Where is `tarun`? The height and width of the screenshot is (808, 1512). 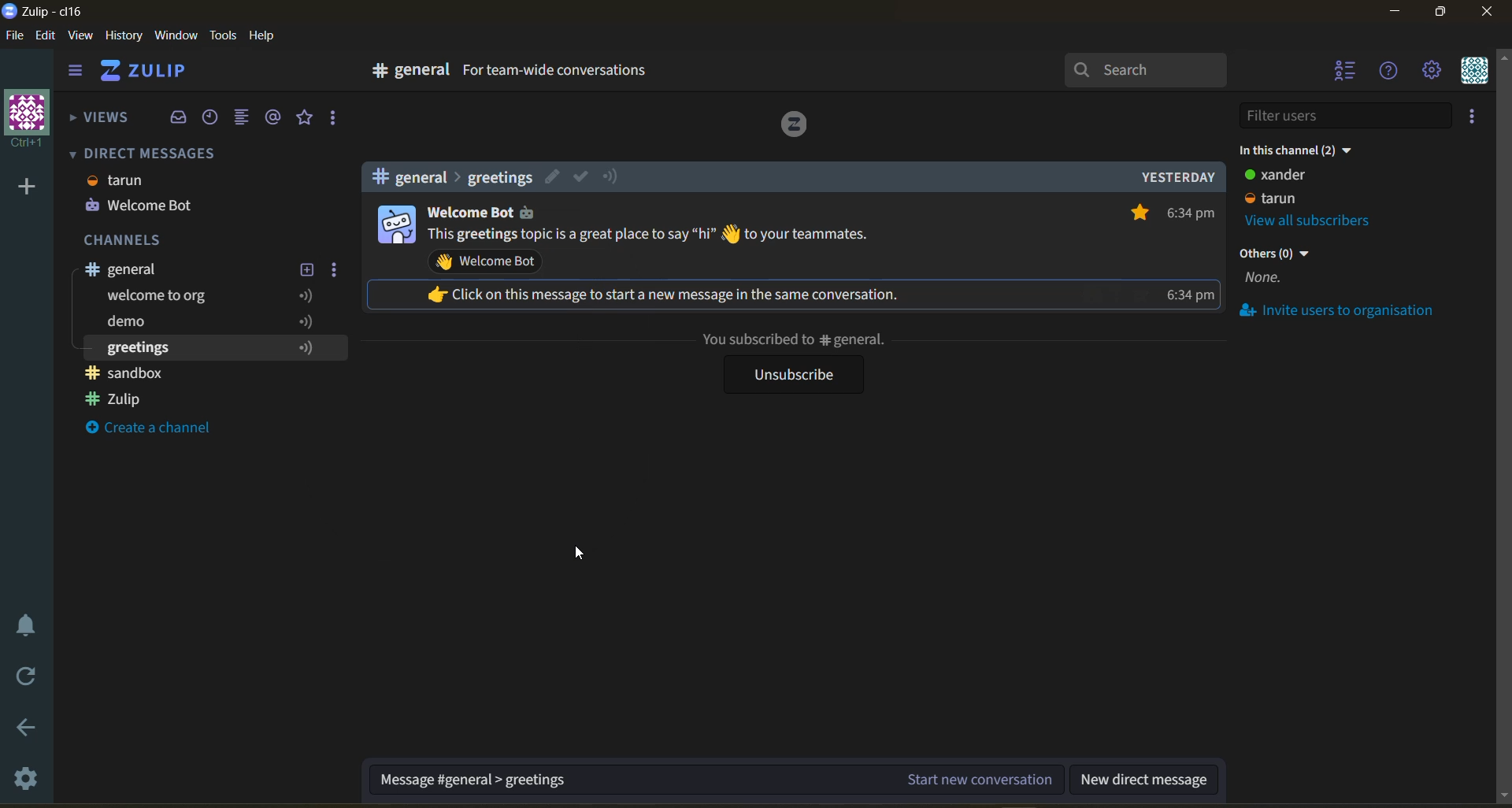
tarun is located at coordinates (121, 182).